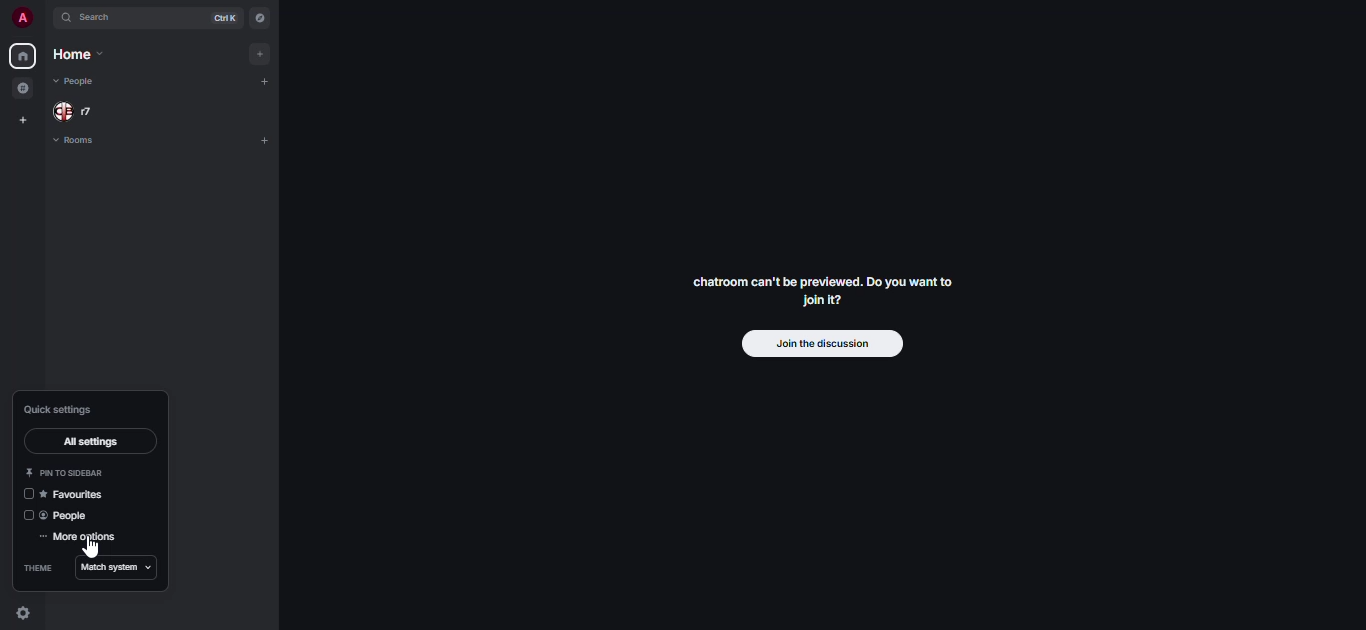 The image size is (1366, 630). What do you see at coordinates (21, 19) in the screenshot?
I see `profile` at bounding box center [21, 19].